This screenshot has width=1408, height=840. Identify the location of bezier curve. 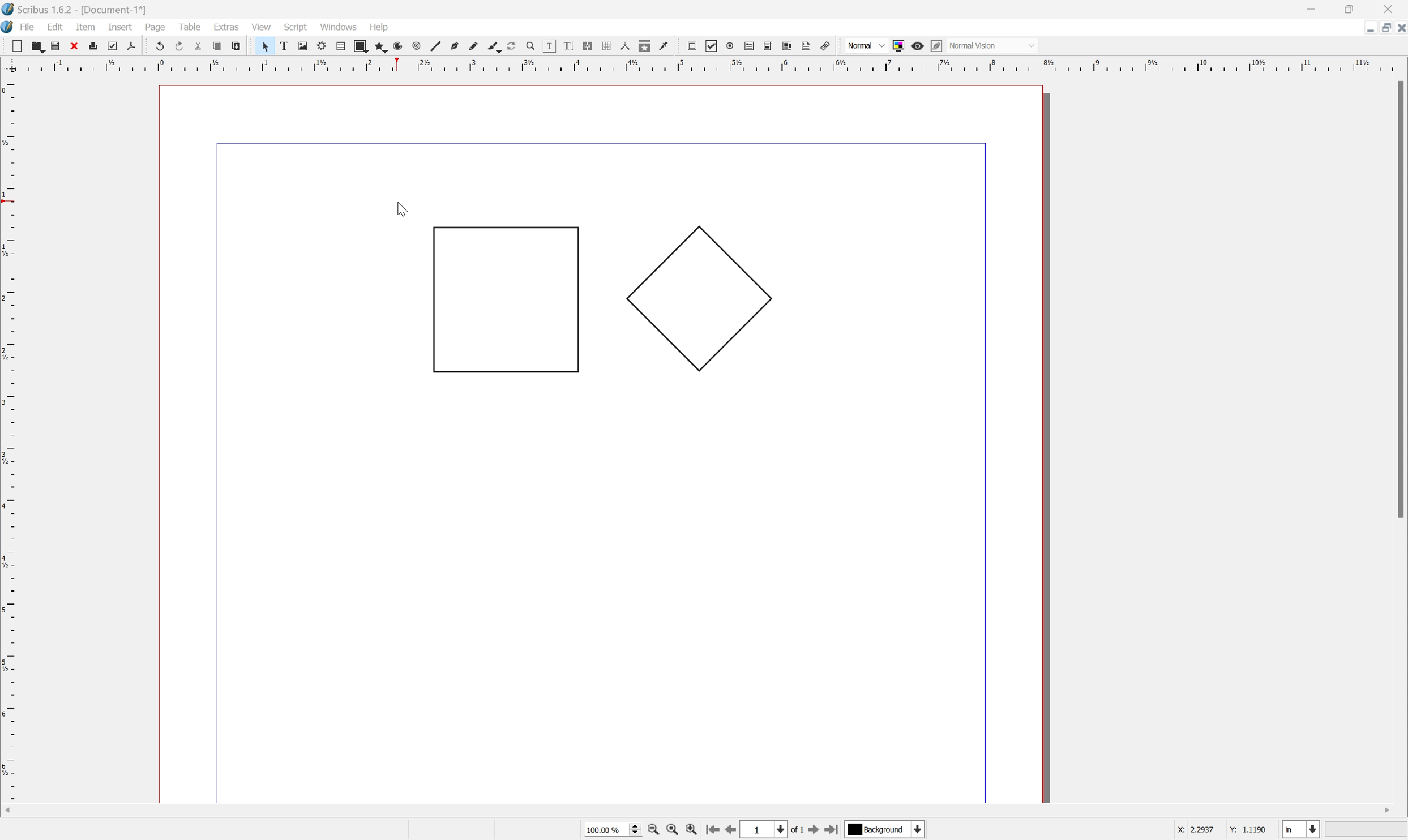
(452, 47).